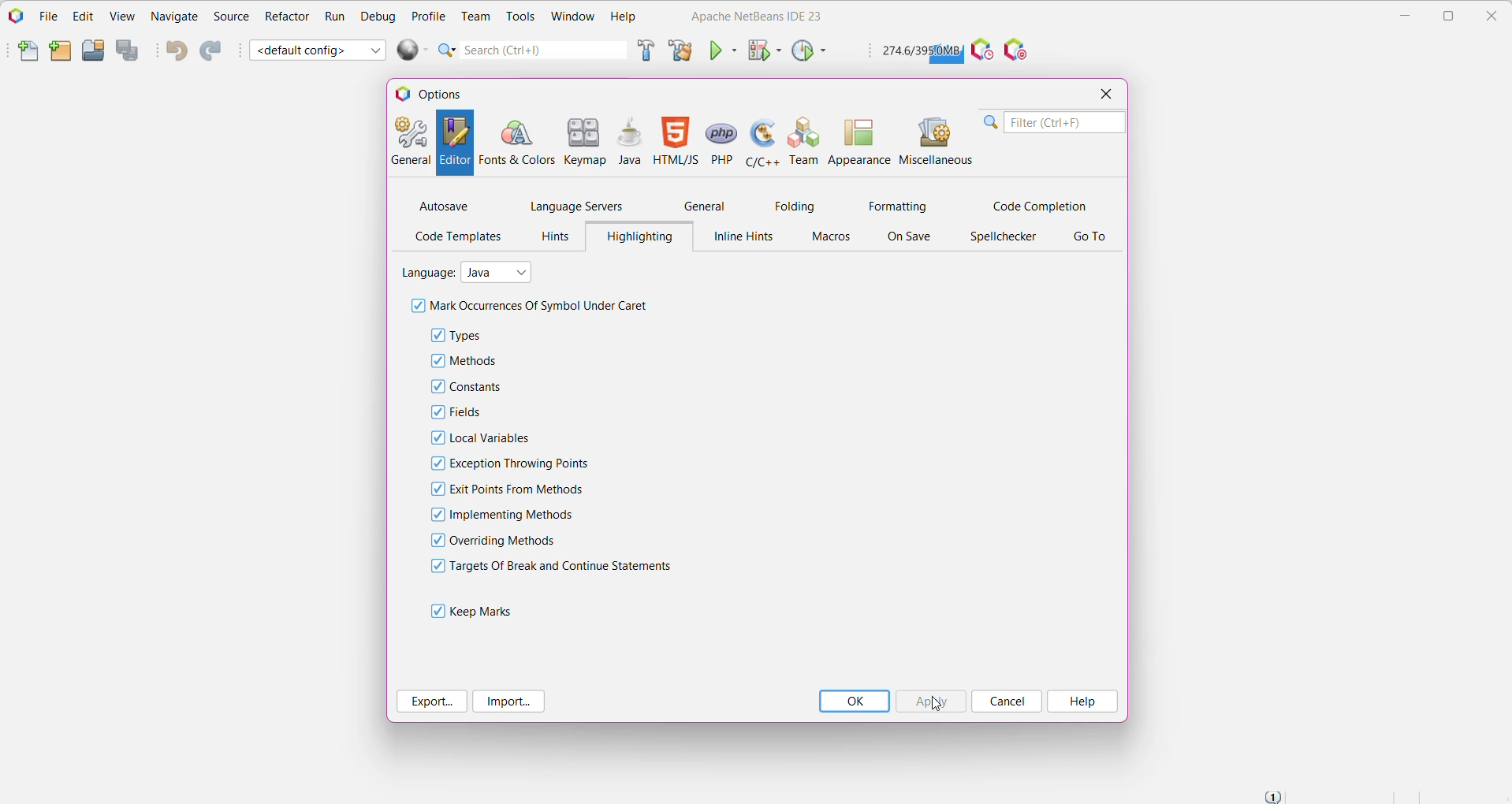 This screenshot has width=1512, height=804. I want to click on Close, so click(1104, 95).